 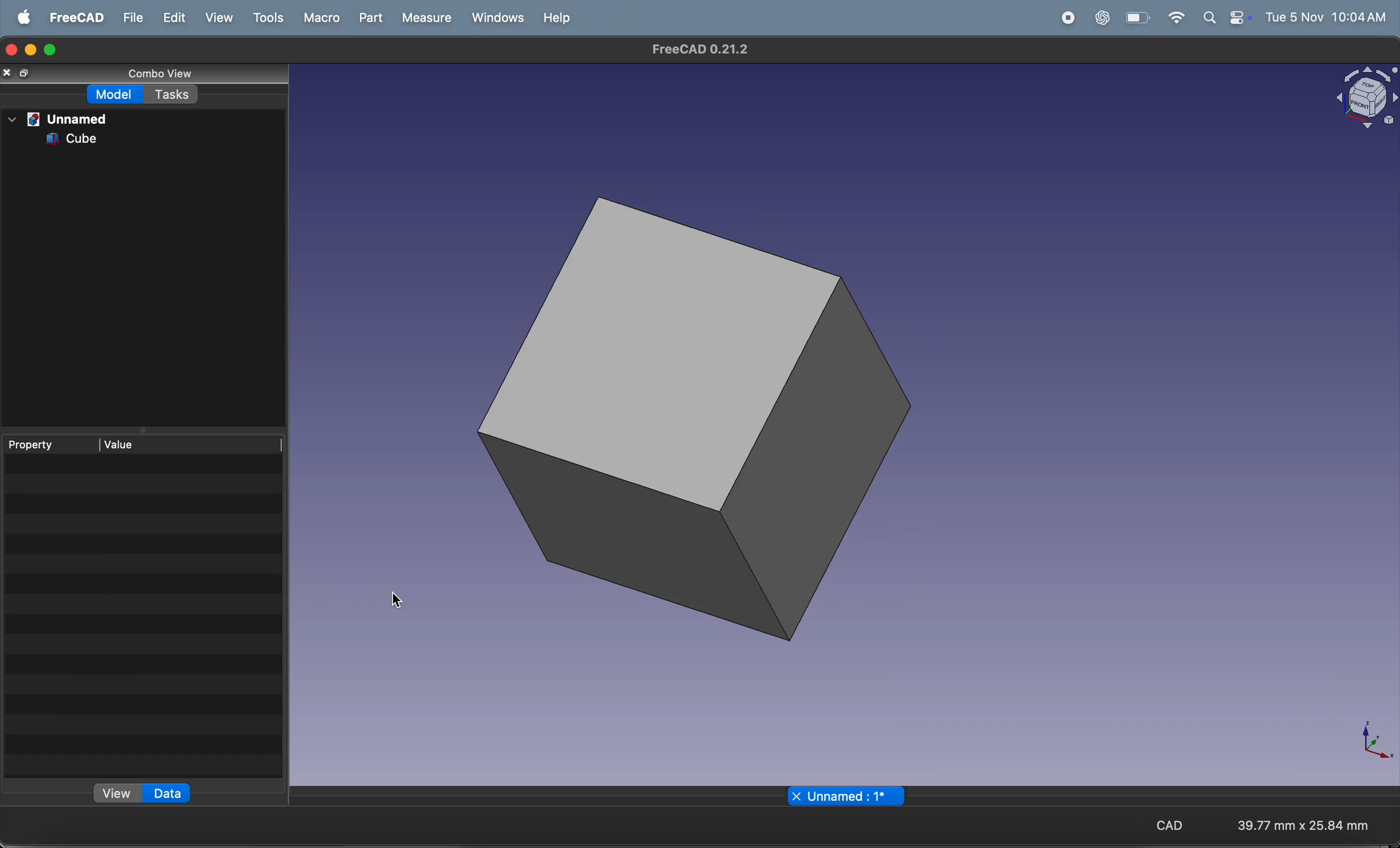 What do you see at coordinates (1377, 742) in the screenshot?
I see `axis compass` at bounding box center [1377, 742].